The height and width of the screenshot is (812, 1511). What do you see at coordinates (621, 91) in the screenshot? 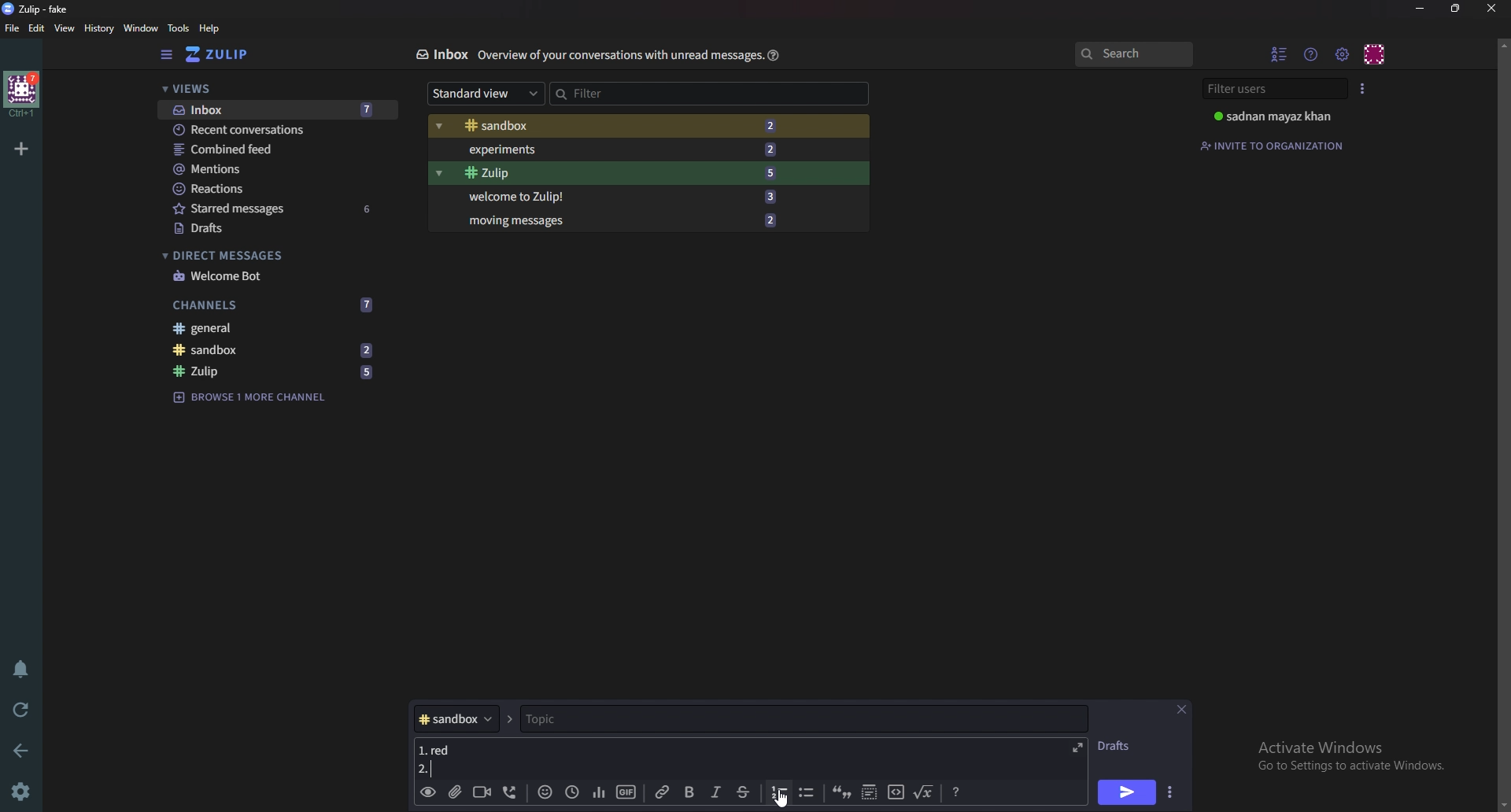
I see `Filter` at bounding box center [621, 91].